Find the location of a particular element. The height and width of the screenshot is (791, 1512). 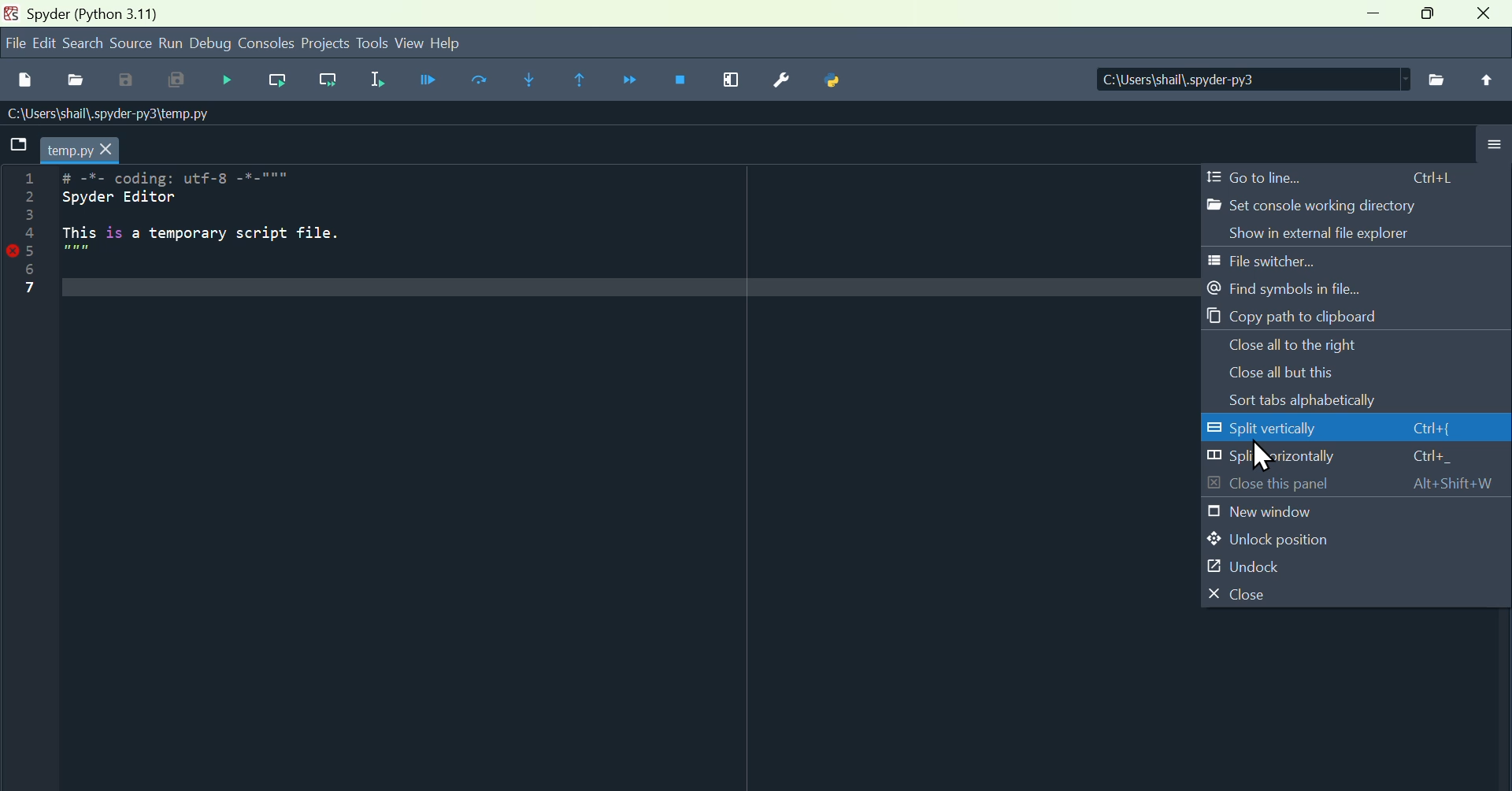

close is located at coordinates (1484, 17).